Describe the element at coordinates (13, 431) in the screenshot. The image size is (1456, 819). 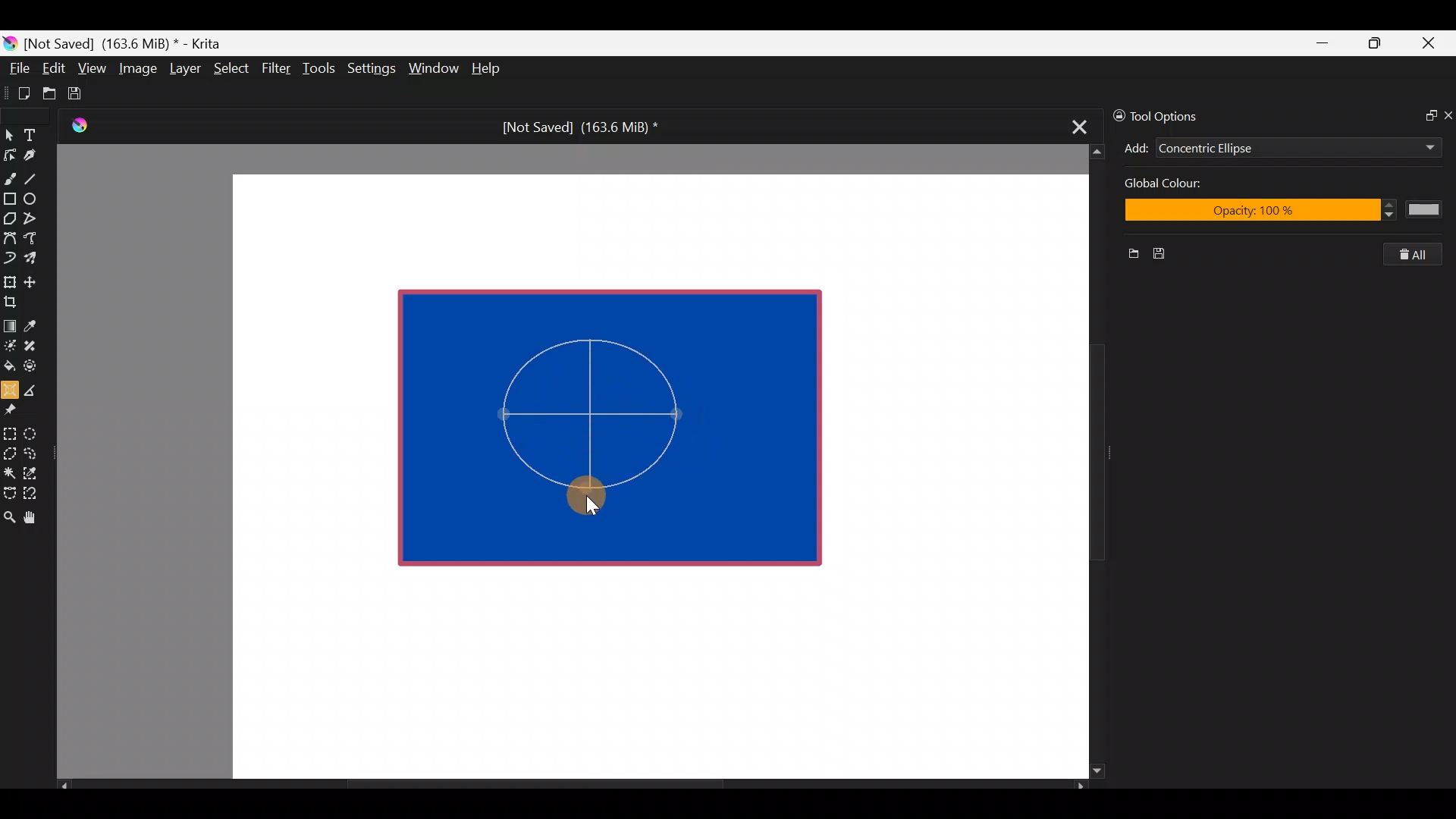
I see `Rectangular selection tool` at that location.